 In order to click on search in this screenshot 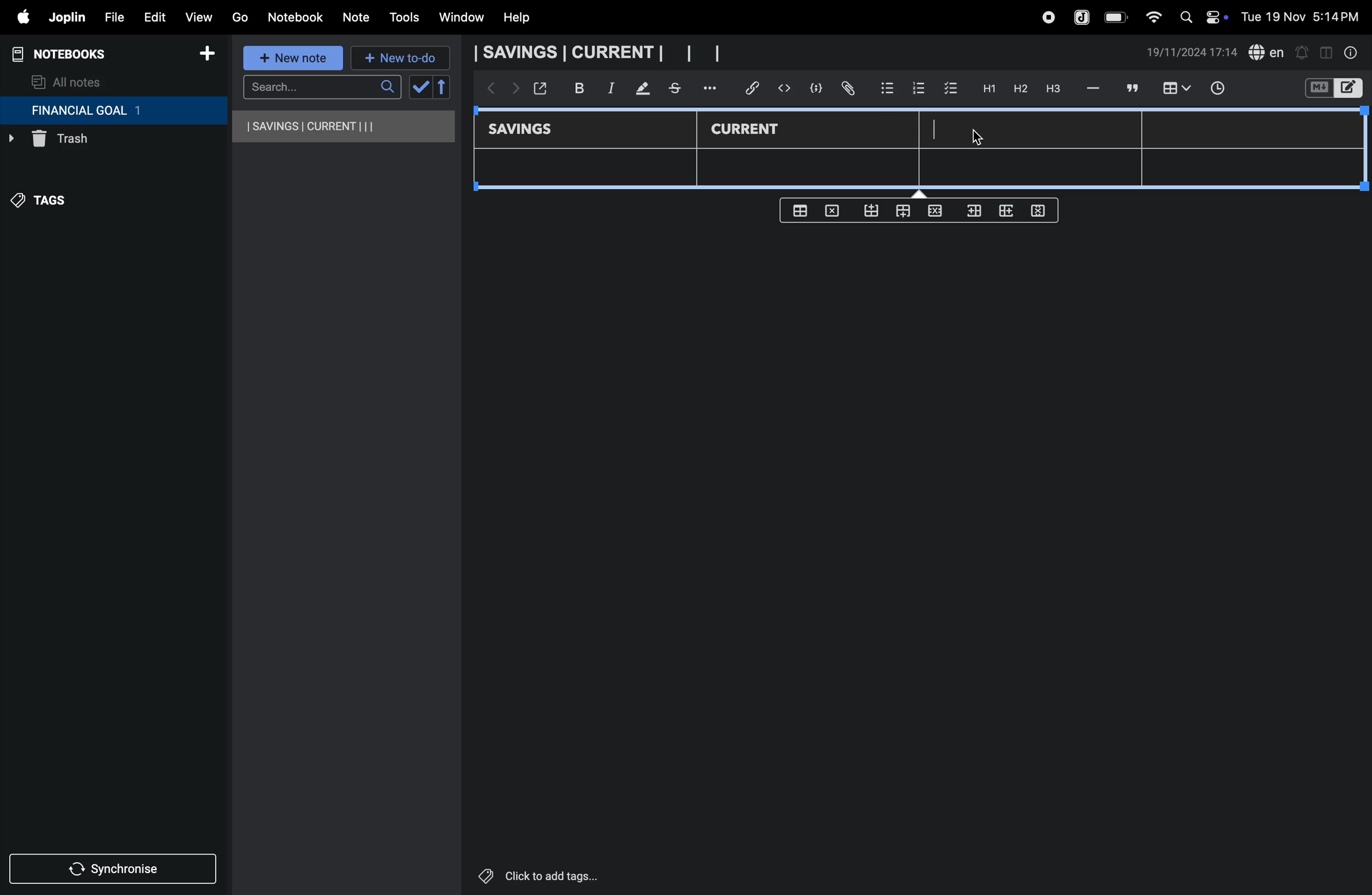, I will do `click(322, 87)`.